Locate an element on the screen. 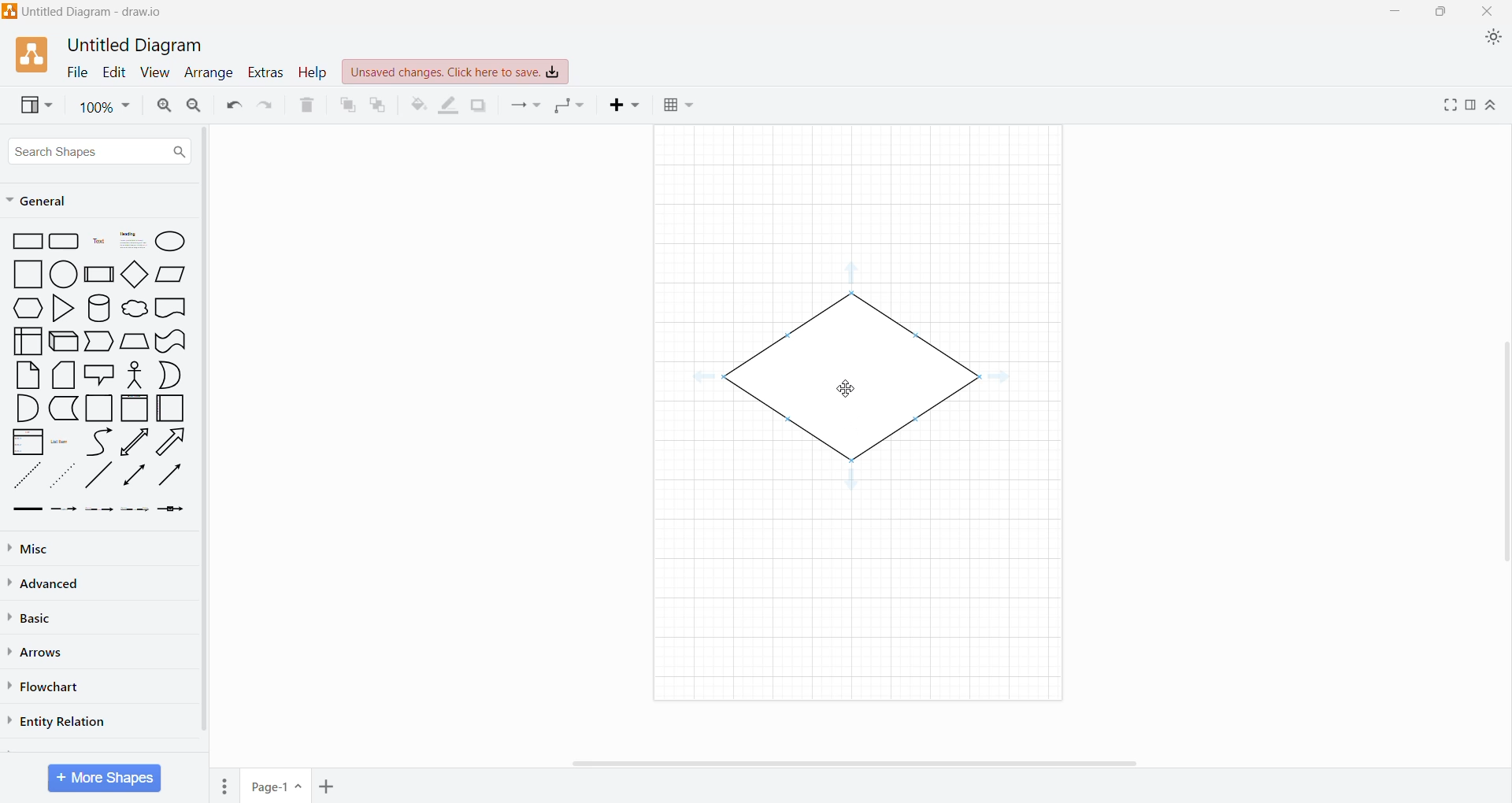 The height and width of the screenshot is (803, 1512). Advanced is located at coordinates (54, 584).